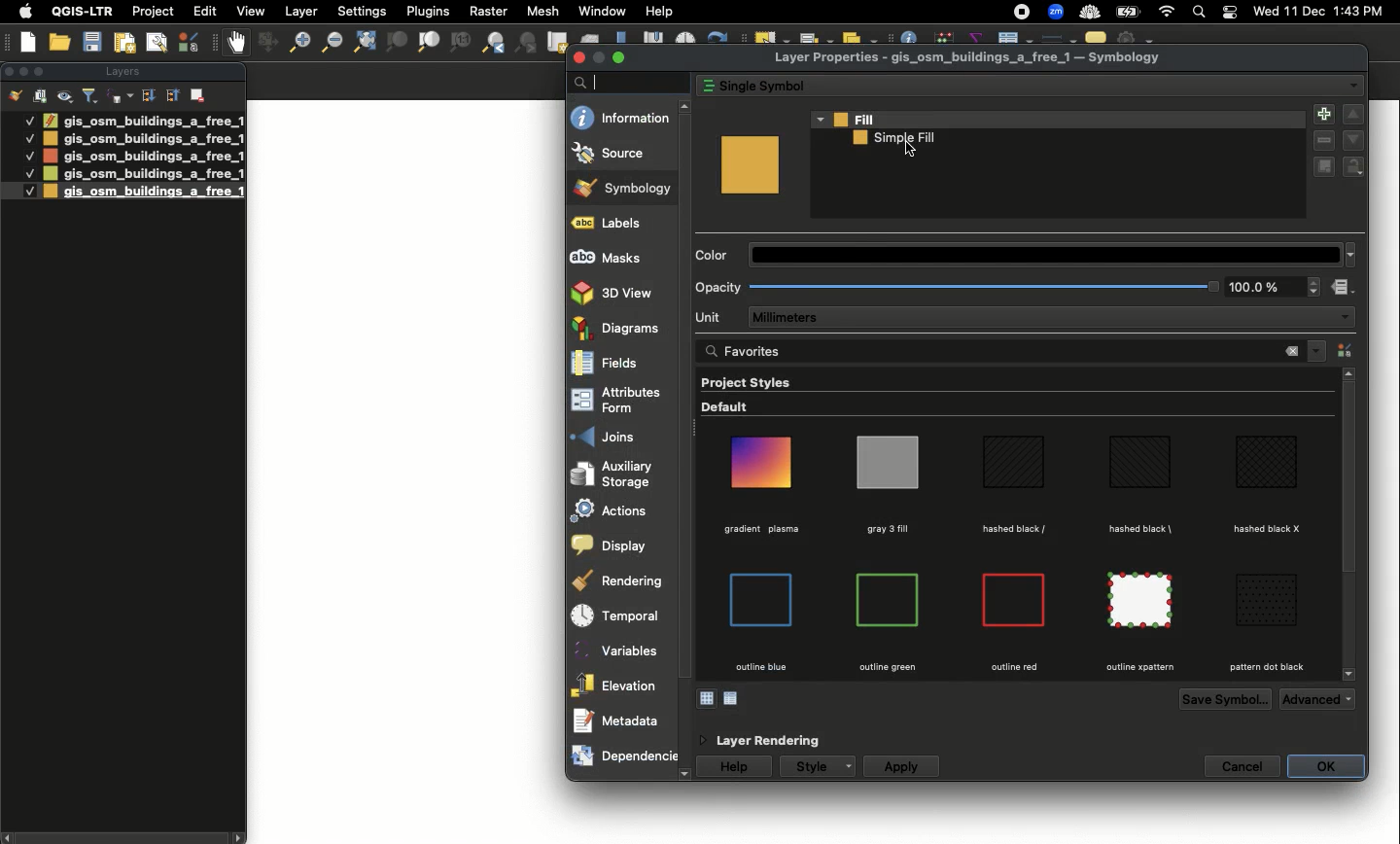  Describe the element at coordinates (91, 96) in the screenshot. I see `Filter legend` at that location.